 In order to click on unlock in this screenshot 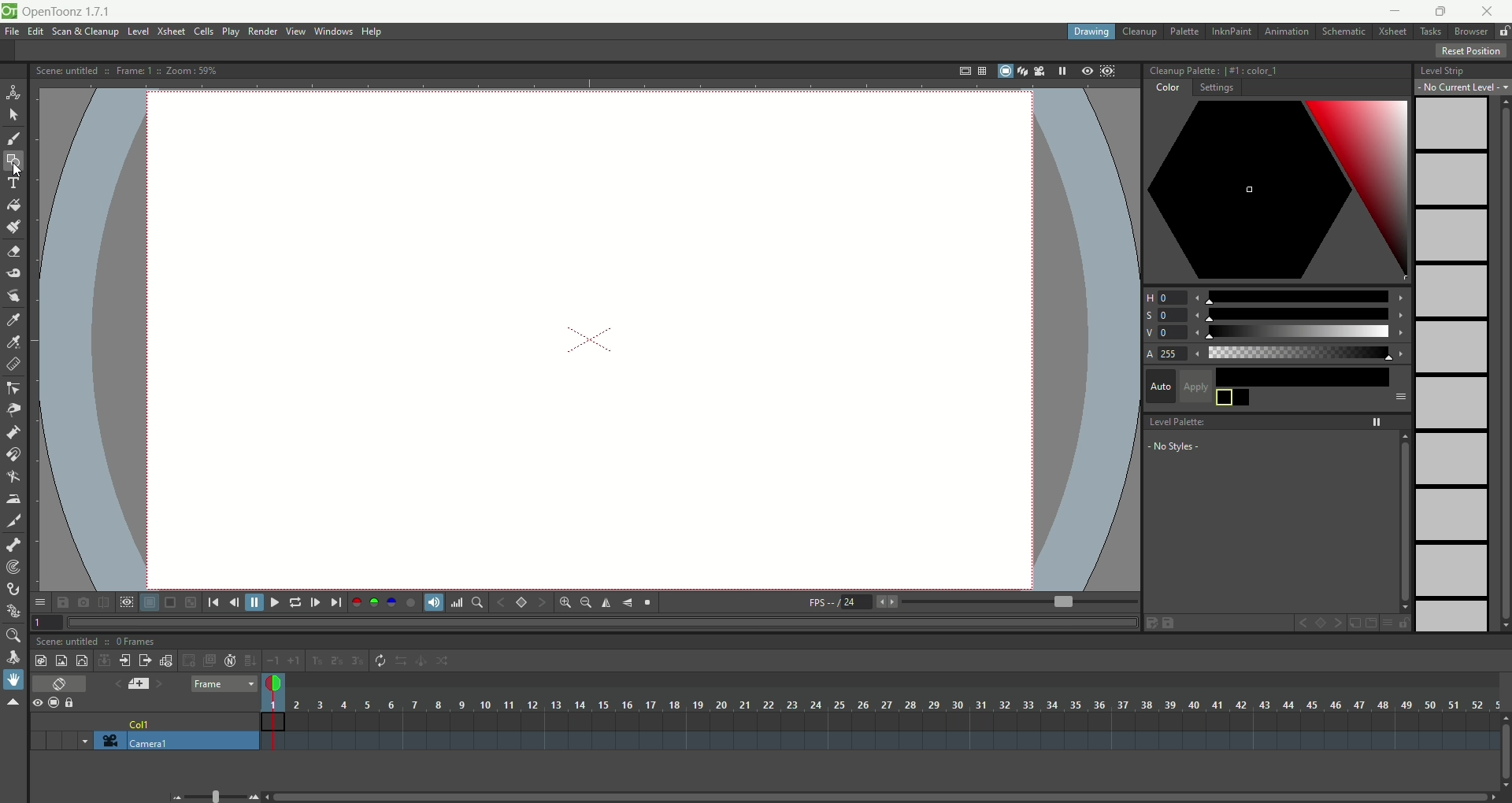, I will do `click(1504, 32)`.